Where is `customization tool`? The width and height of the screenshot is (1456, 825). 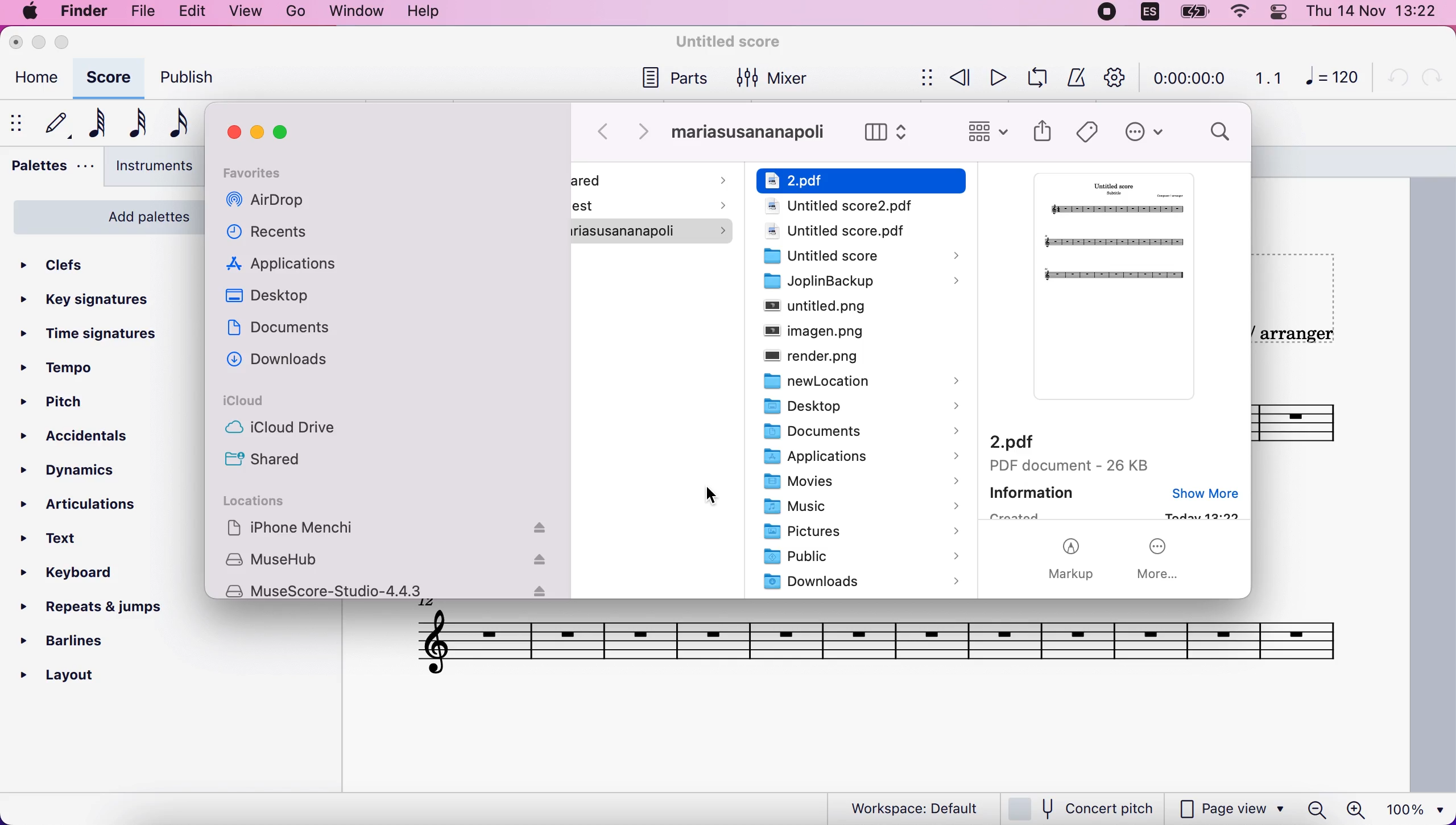 customization tool is located at coordinates (1111, 77).